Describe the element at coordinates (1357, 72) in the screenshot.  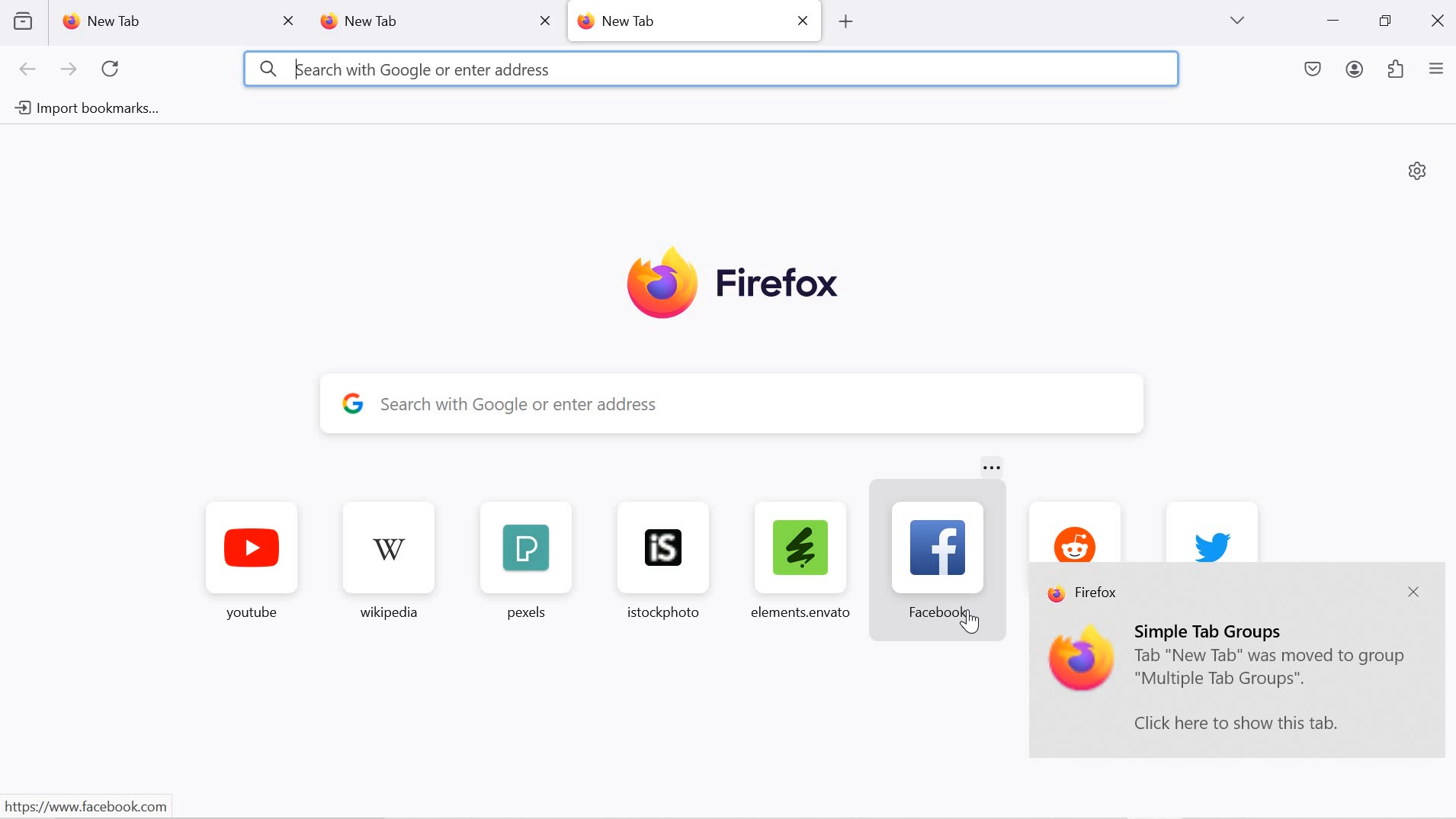
I see `account` at that location.